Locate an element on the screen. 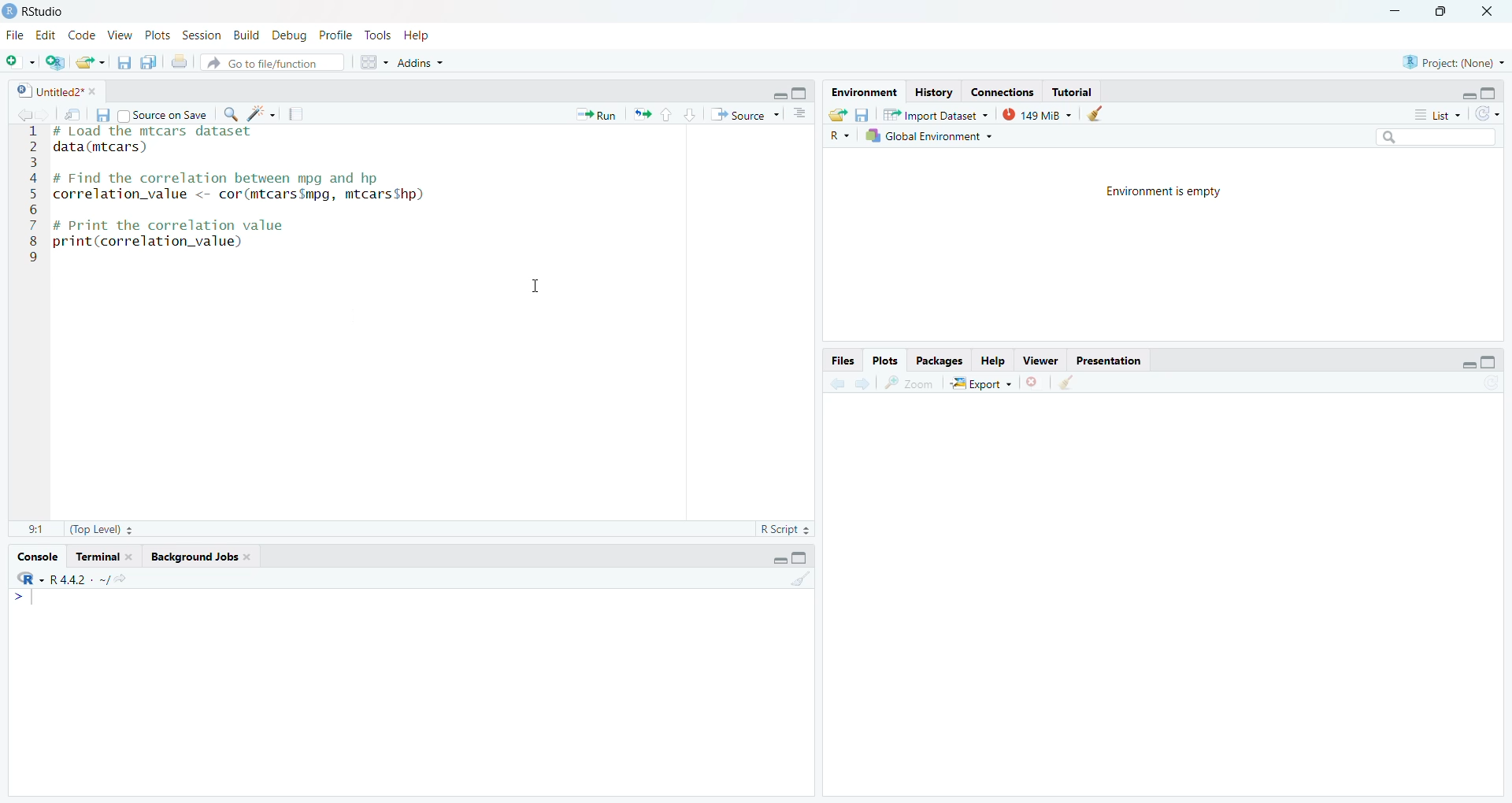  File is located at coordinates (13, 38).